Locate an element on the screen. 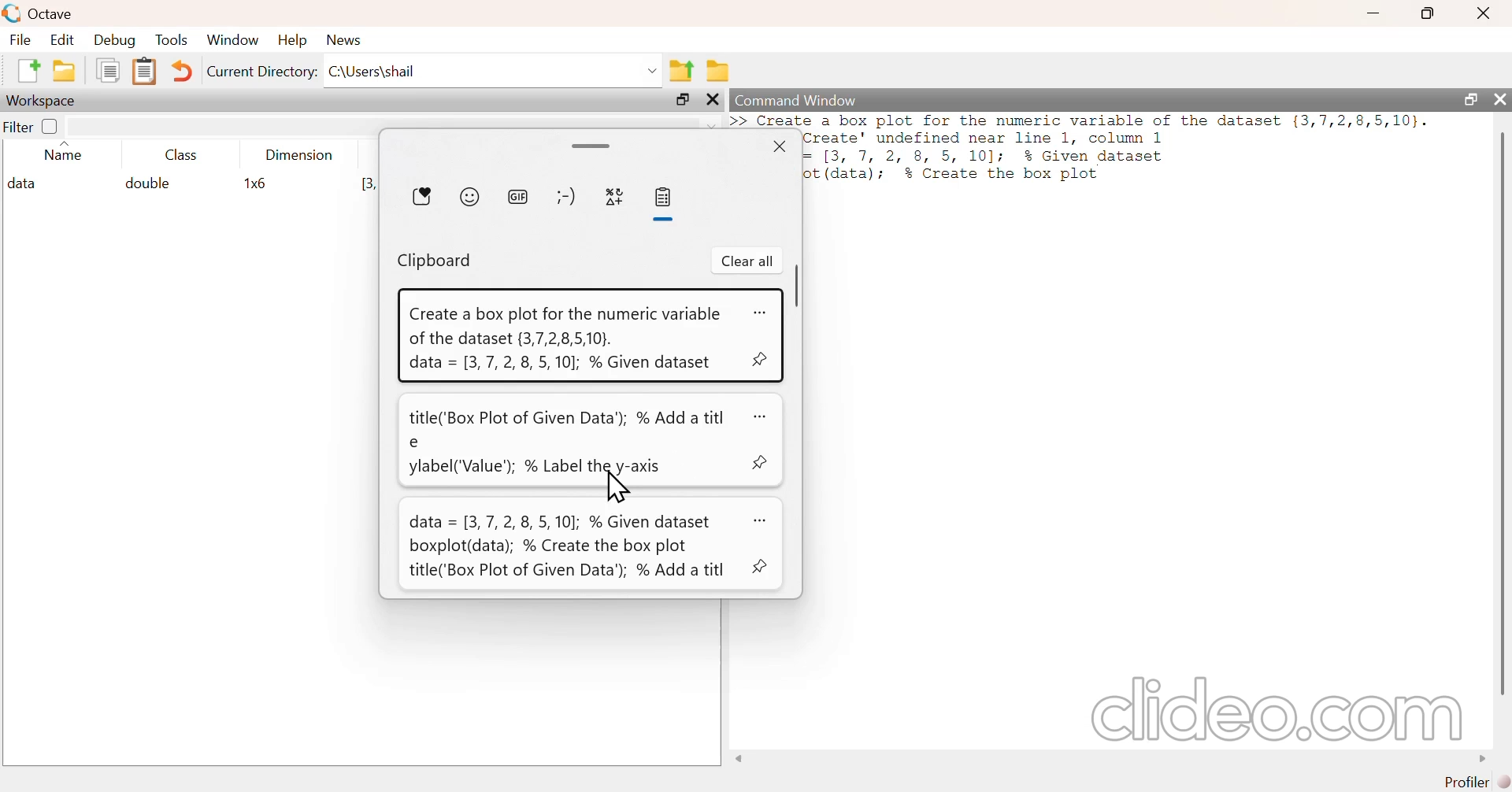 The width and height of the screenshot is (1512, 792). = 1[3, 7, 2, 8 5, 10]; % Given dataset
ot (data); % Create the box plot is located at coordinates (1001, 166).